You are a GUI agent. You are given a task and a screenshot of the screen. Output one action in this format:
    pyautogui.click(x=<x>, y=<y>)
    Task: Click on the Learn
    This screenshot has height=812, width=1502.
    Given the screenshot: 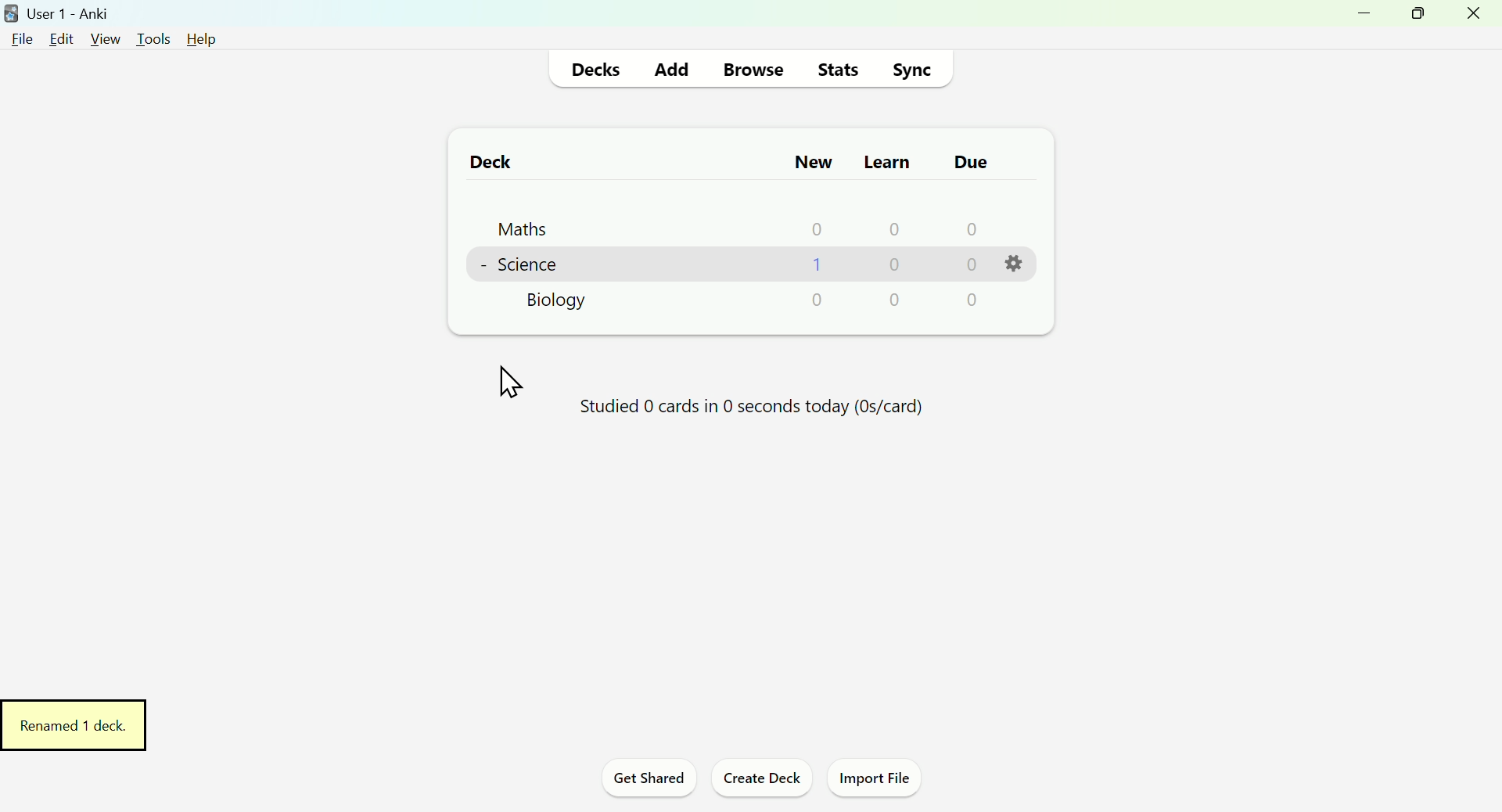 What is the action you would take?
    pyautogui.click(x=886, y=158)
    